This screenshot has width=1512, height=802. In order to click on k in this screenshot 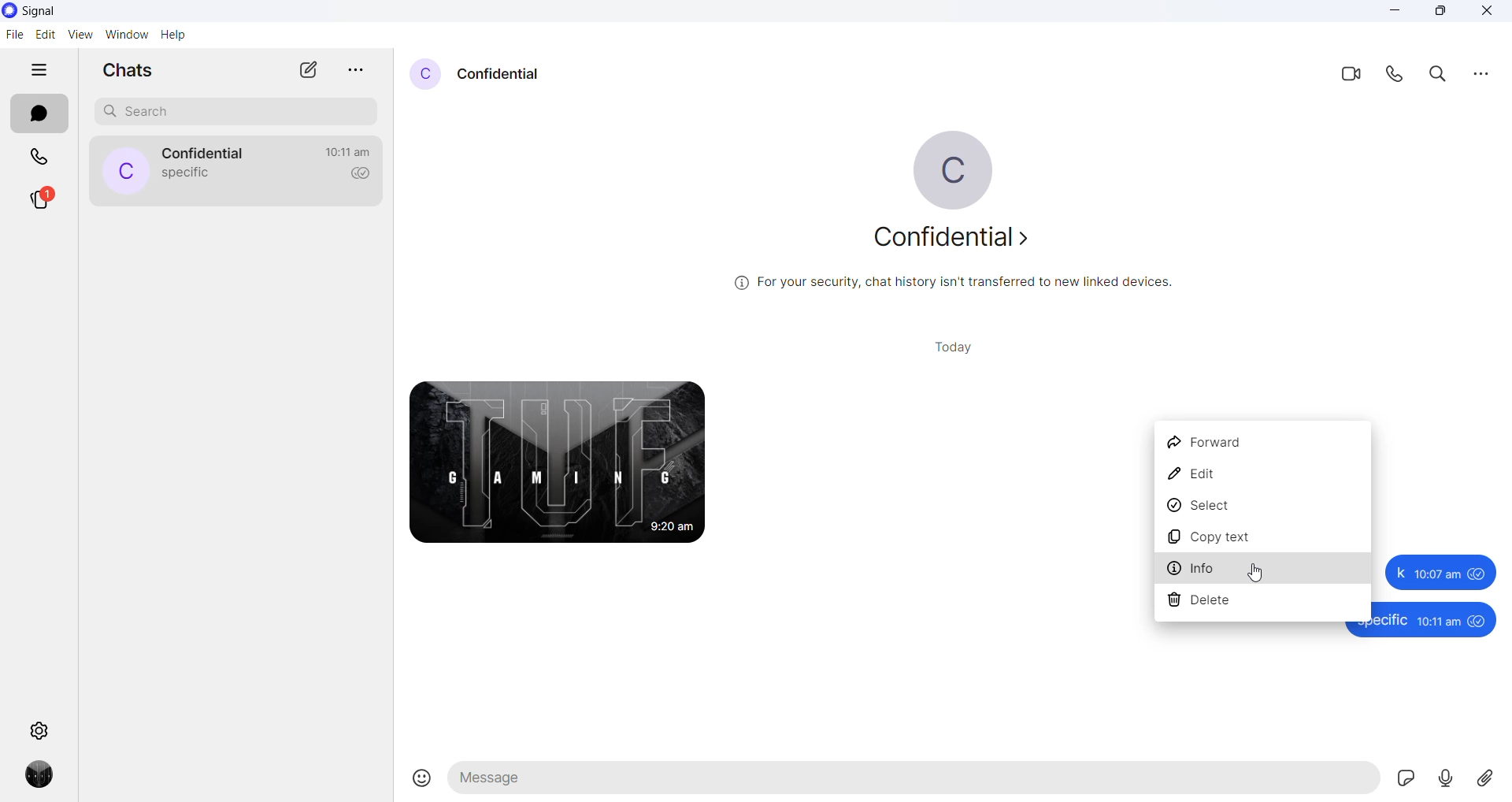, I will do `click(1397, 572)`.